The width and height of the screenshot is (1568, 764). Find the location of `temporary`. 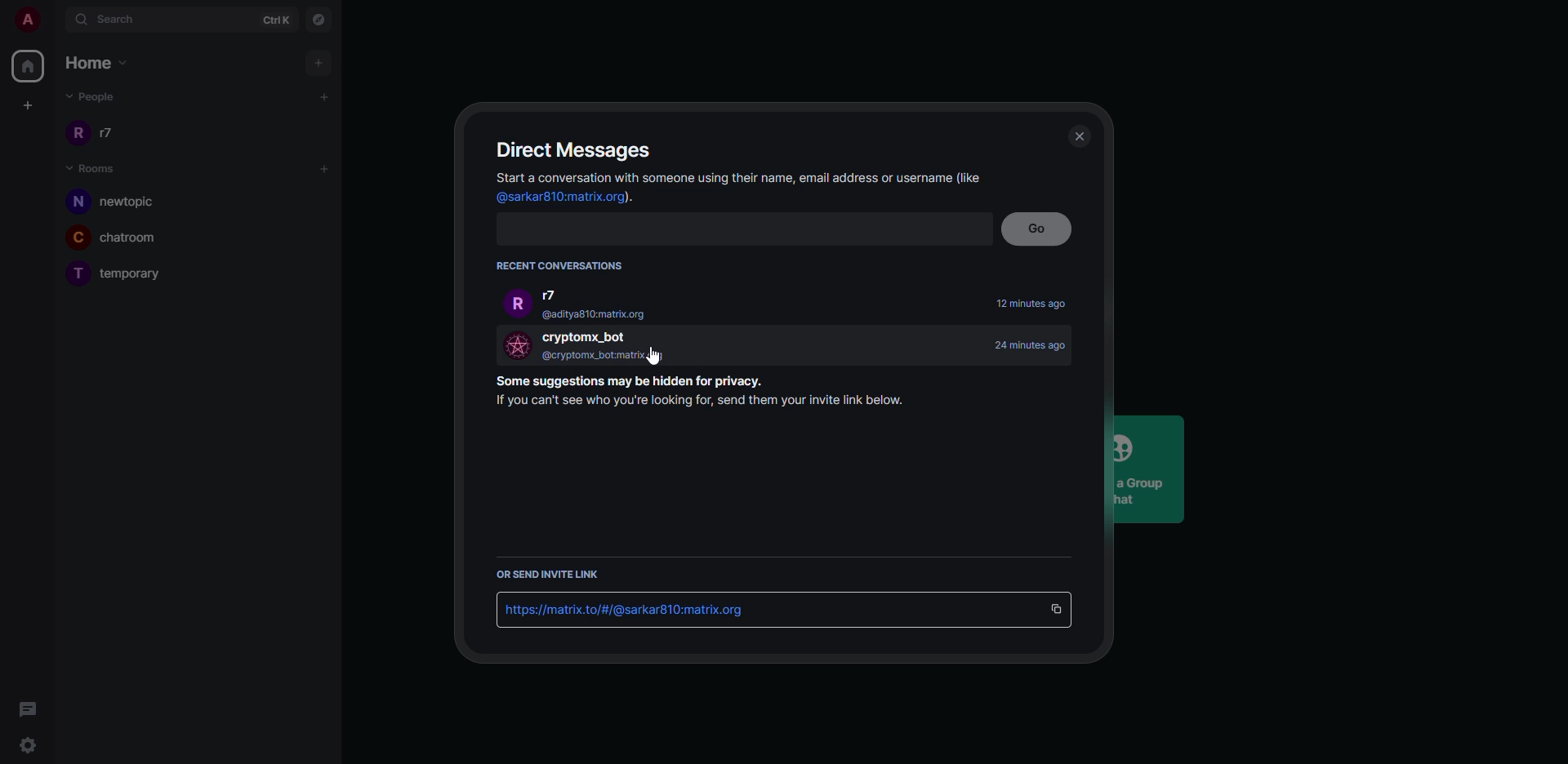

temporary is located at coordinates (139, 273).